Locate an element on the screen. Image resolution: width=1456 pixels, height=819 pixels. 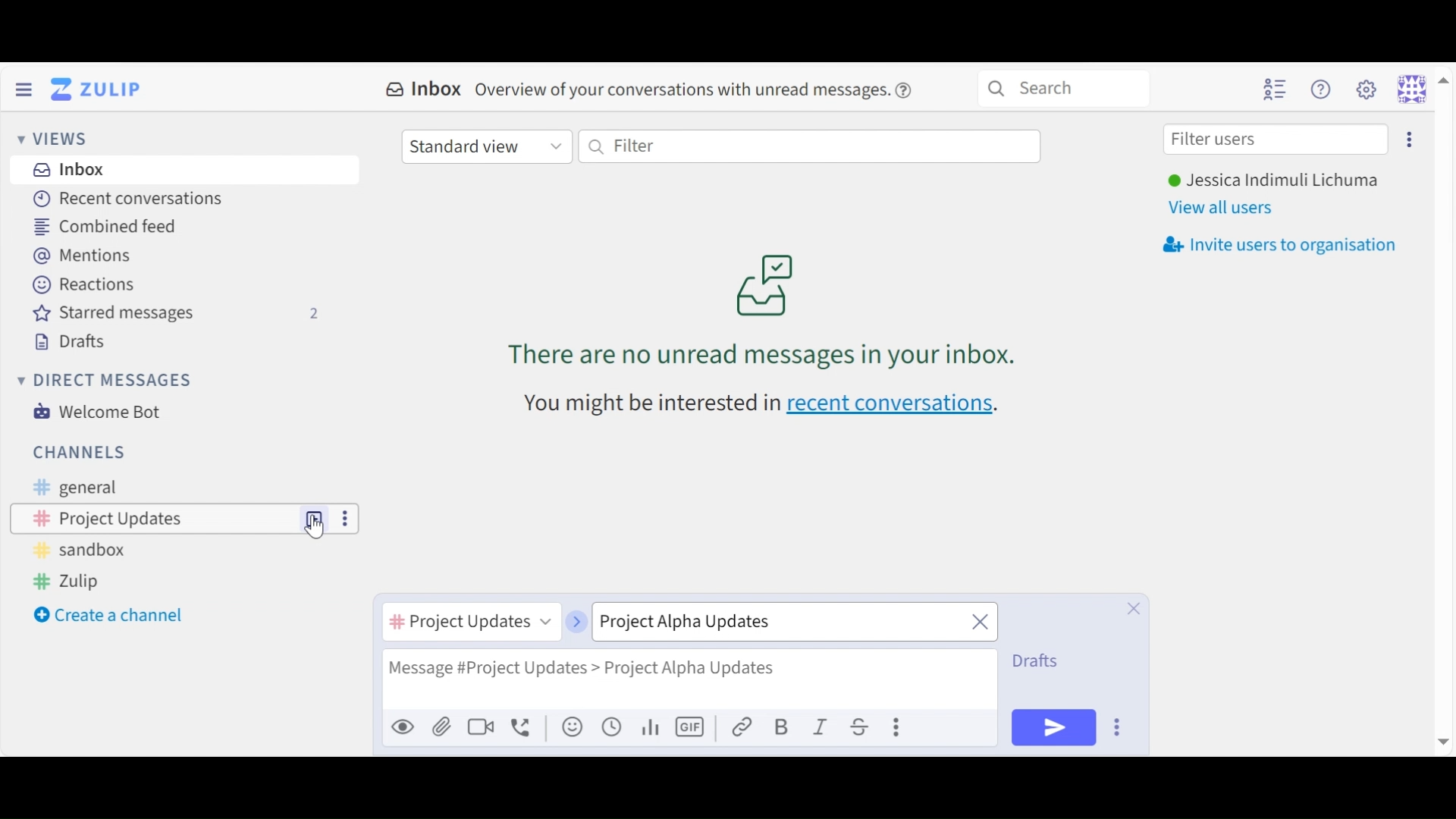
Add GIF is located at coordinates (690, 727).